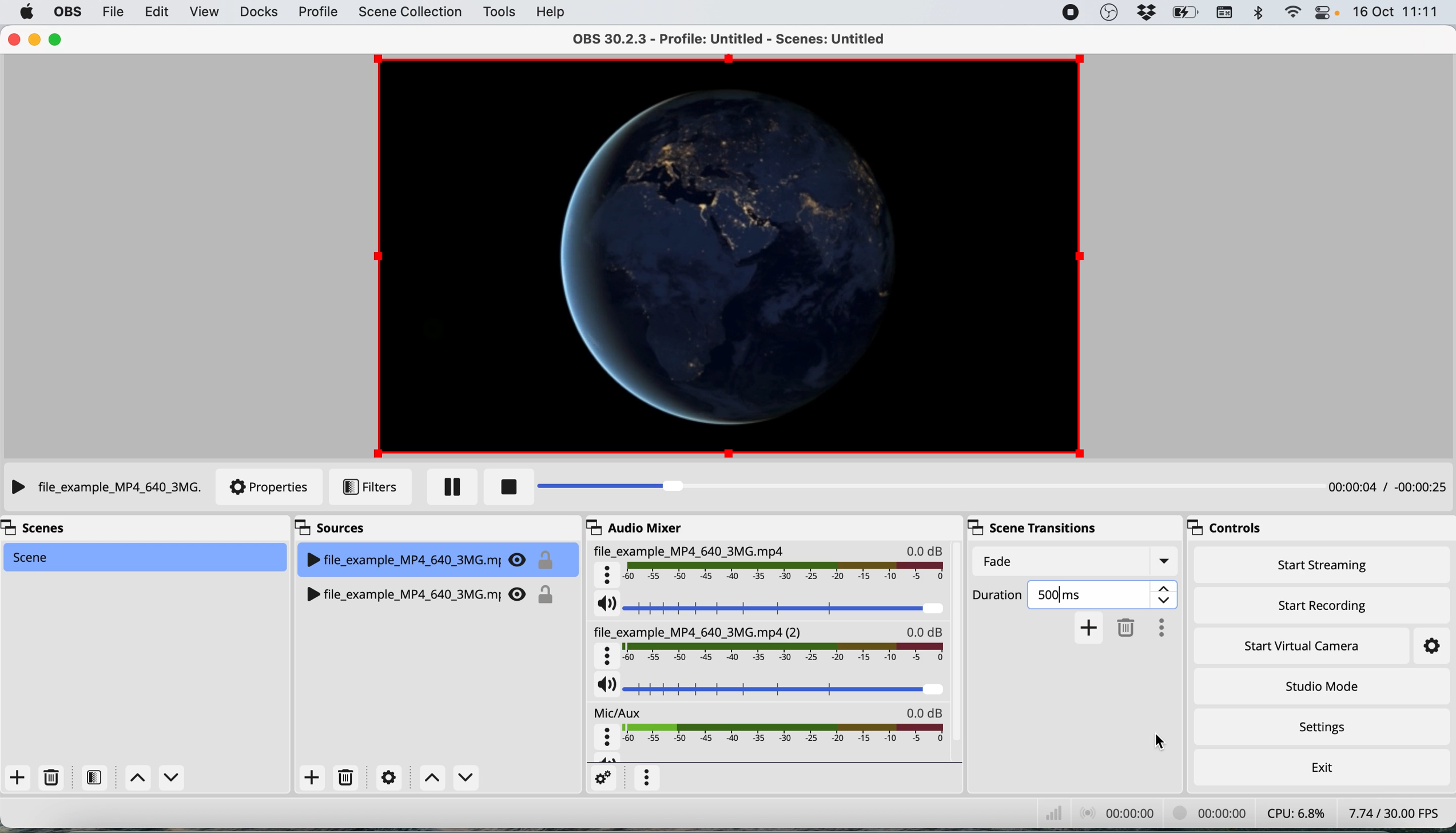 The width and height of the screenshot is (1456, 833). What do you see at coordinates (51, 776) in the screenshot?
I see `delete scene` at bounding box center [51, 776].